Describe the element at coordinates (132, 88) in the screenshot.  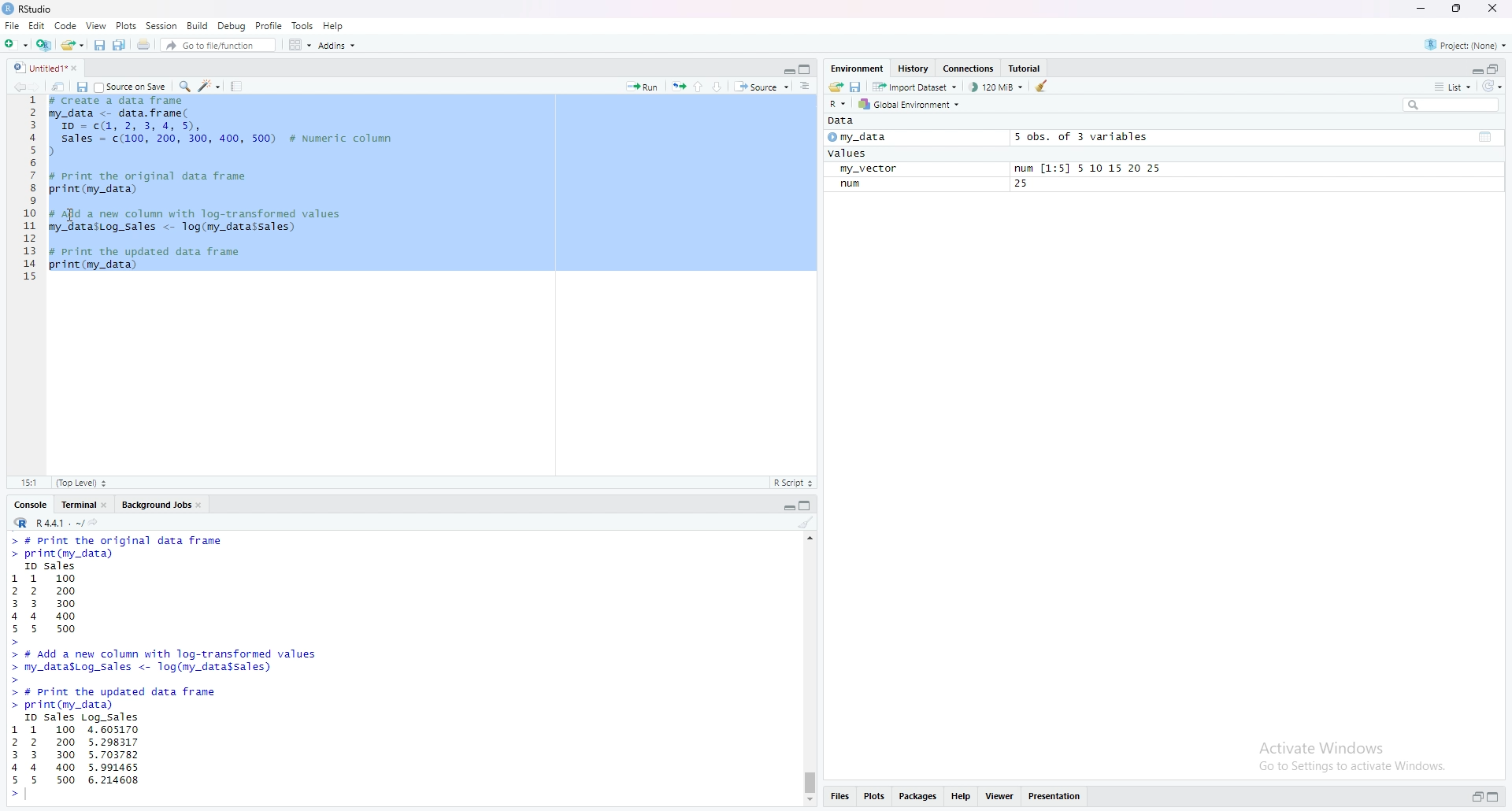
I see `source on save` at that location.